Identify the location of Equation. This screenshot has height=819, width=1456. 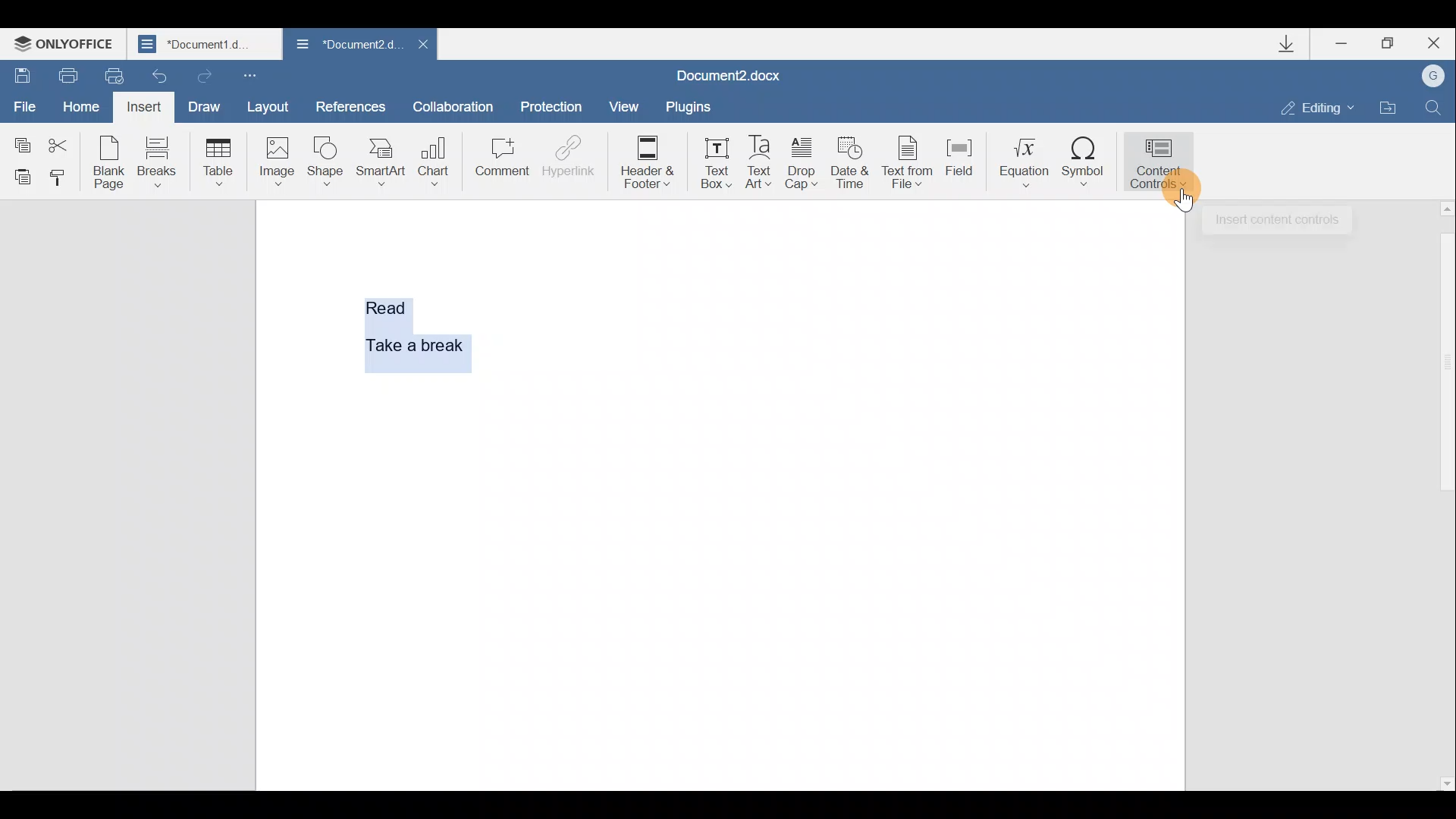
(1020, 162).